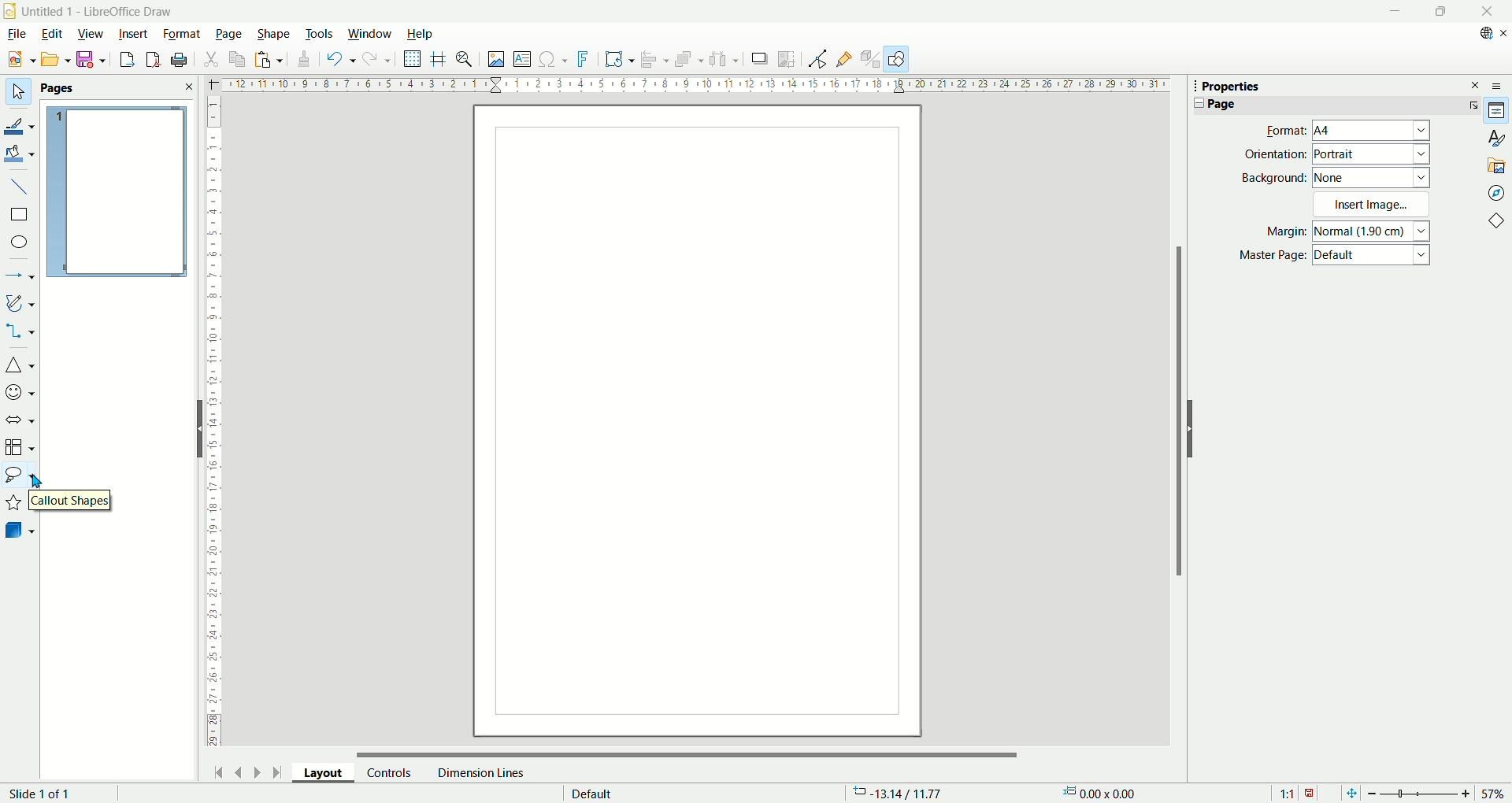 The width and height of the screenshot is (1512, 803). Describe the element at coordinates (1436, 792) in the screenshot. I see `zoom factor` at that location.